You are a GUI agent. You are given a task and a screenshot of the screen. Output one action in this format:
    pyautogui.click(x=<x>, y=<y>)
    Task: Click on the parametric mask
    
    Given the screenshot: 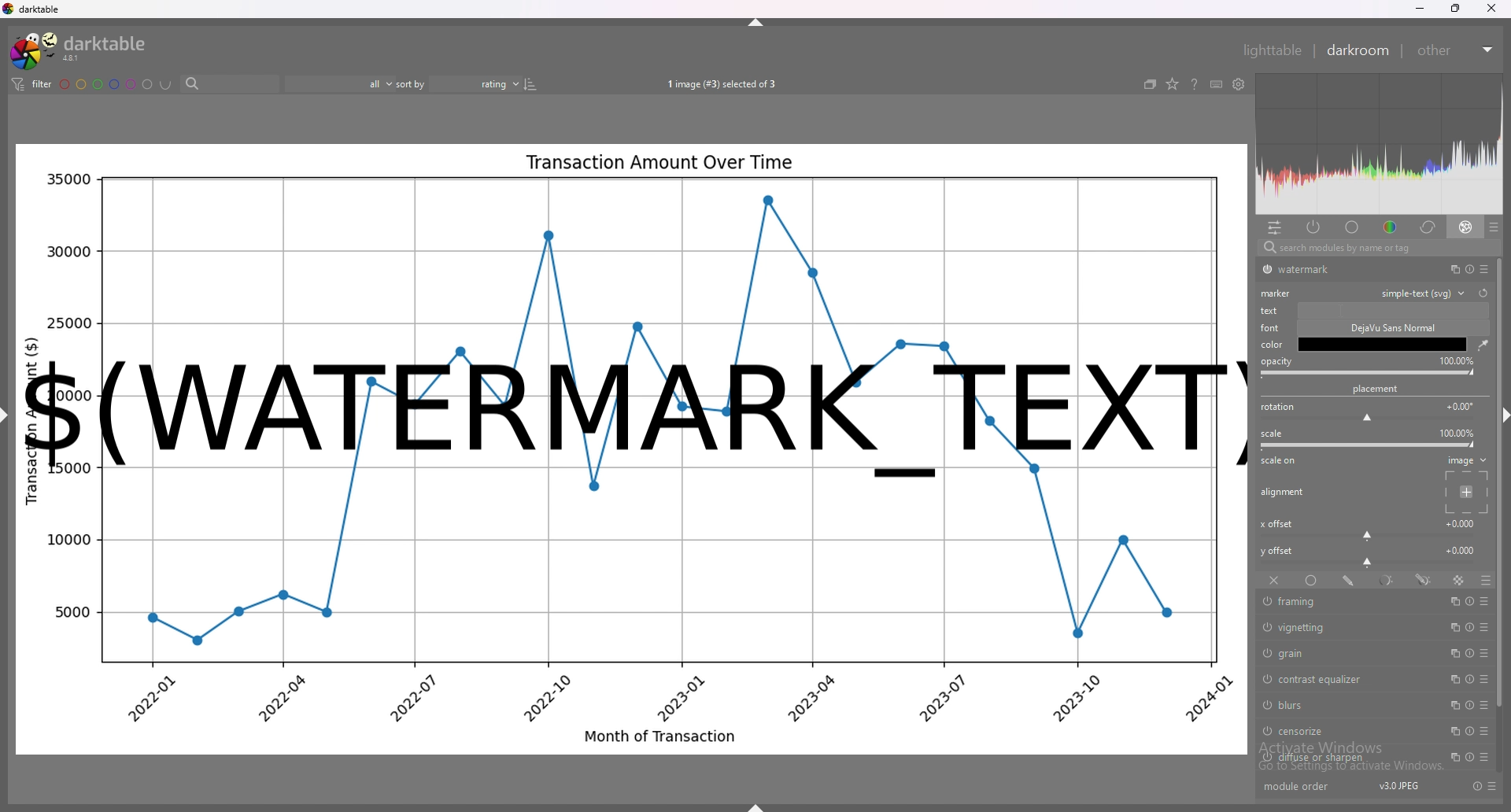 What is the action you would take?
    pyautogui.click(x=1388, y=580)
    